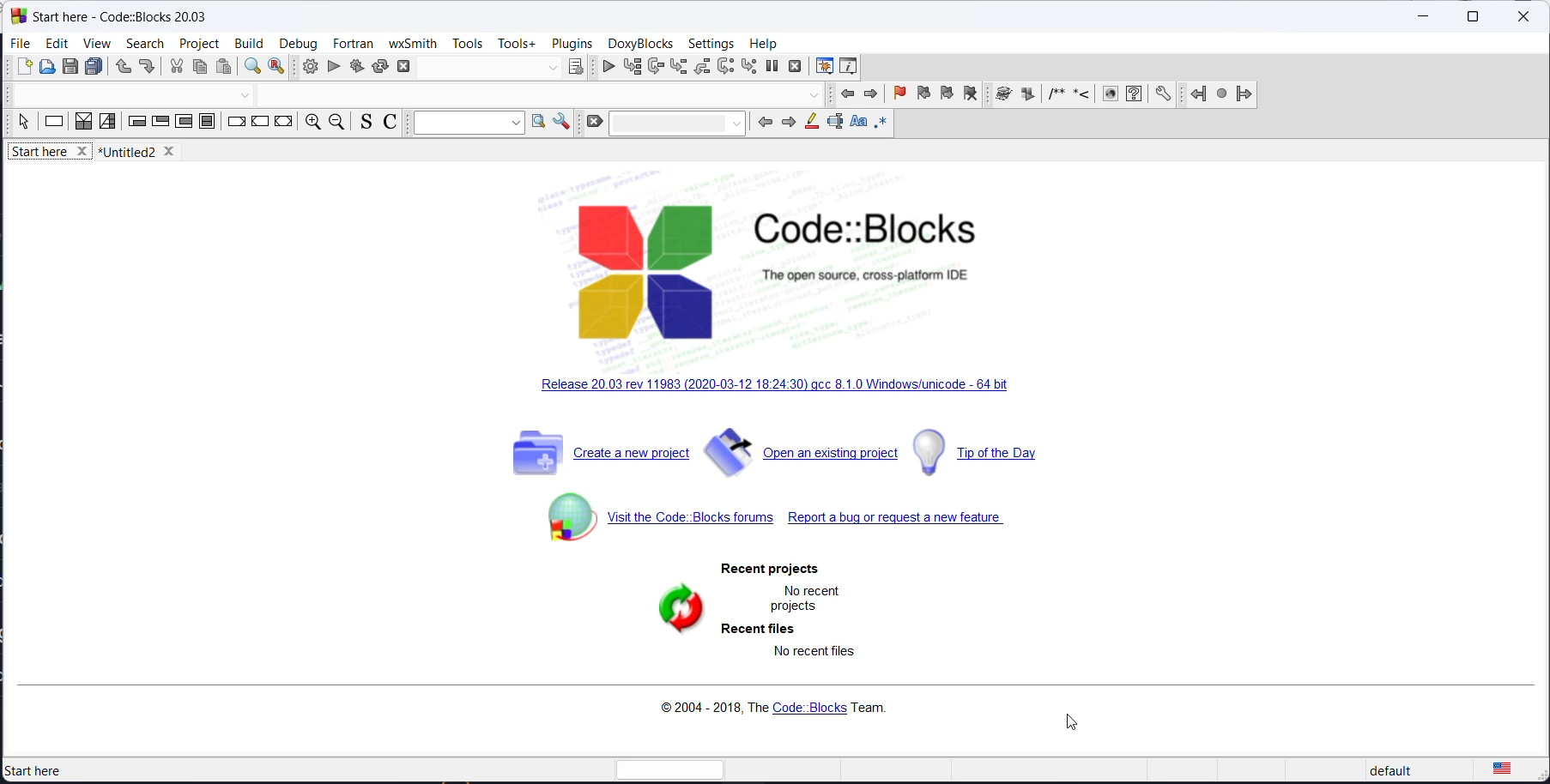 The image size is (1550, 784). I want to click on report bug, so click(901, 522).